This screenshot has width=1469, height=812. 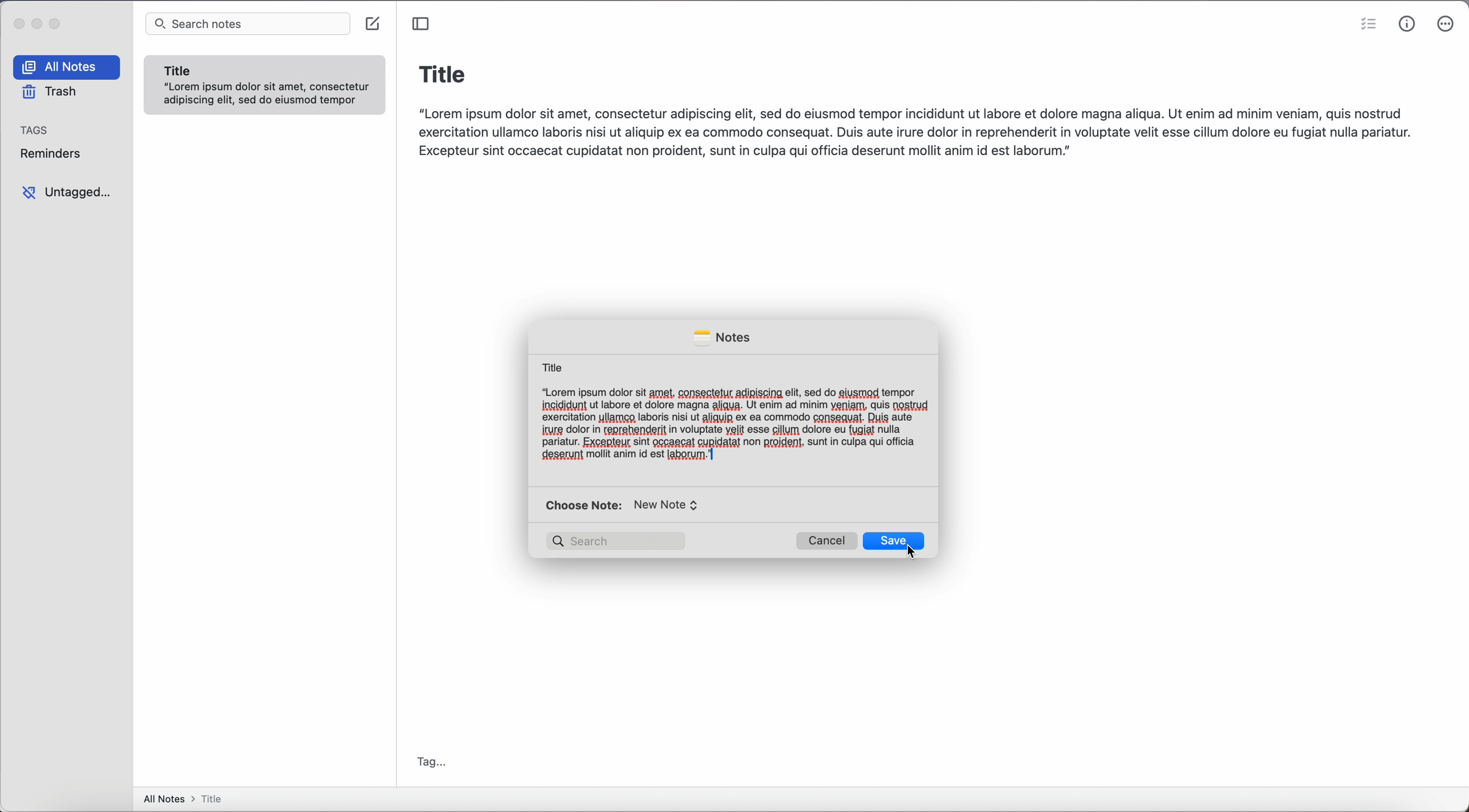 What do you see at coordinates (734, 425) in the screenshot?
I see `body text` at bounding box center [734, 425].